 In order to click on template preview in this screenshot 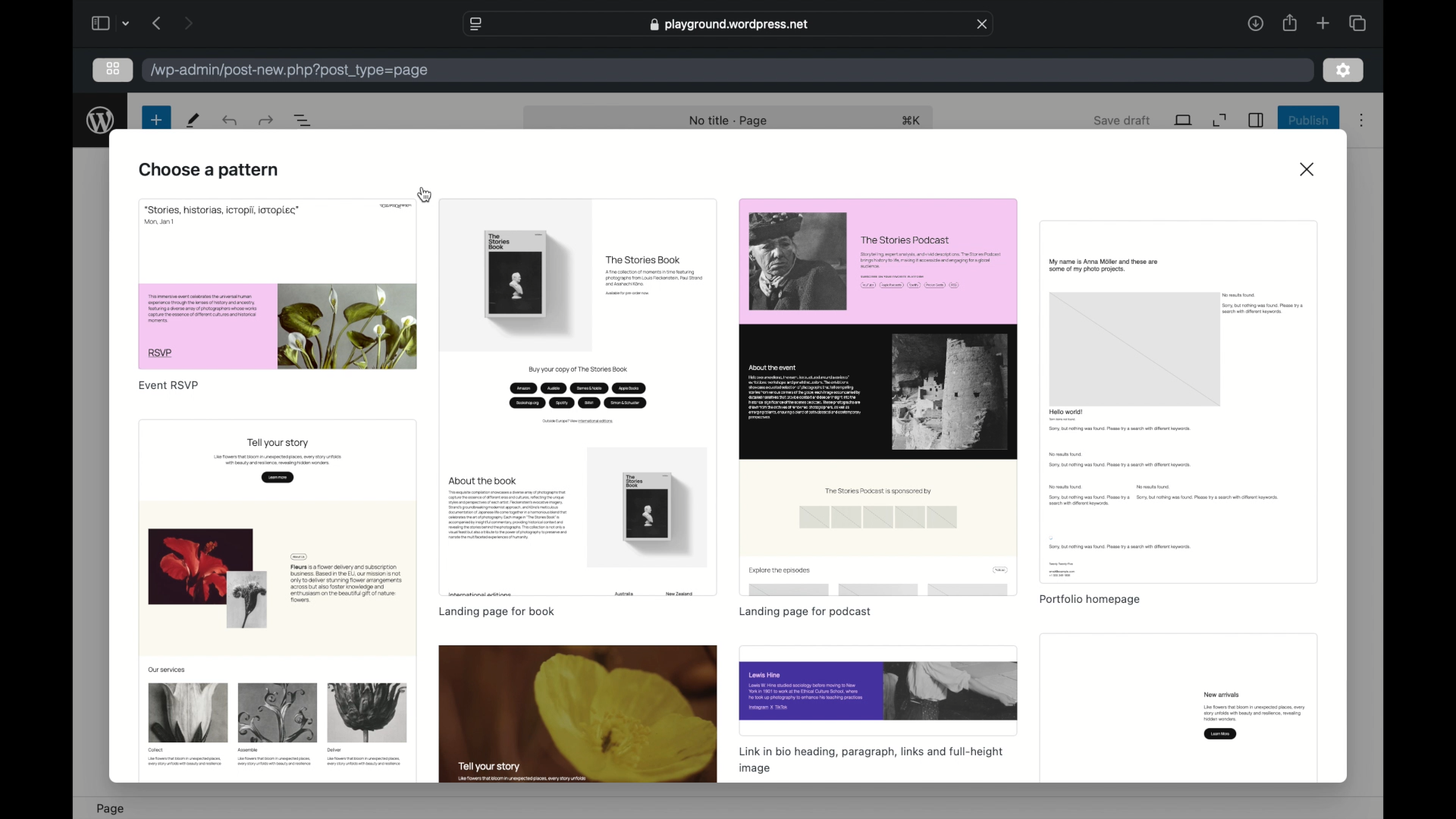, I will do `click(877, 395)`.